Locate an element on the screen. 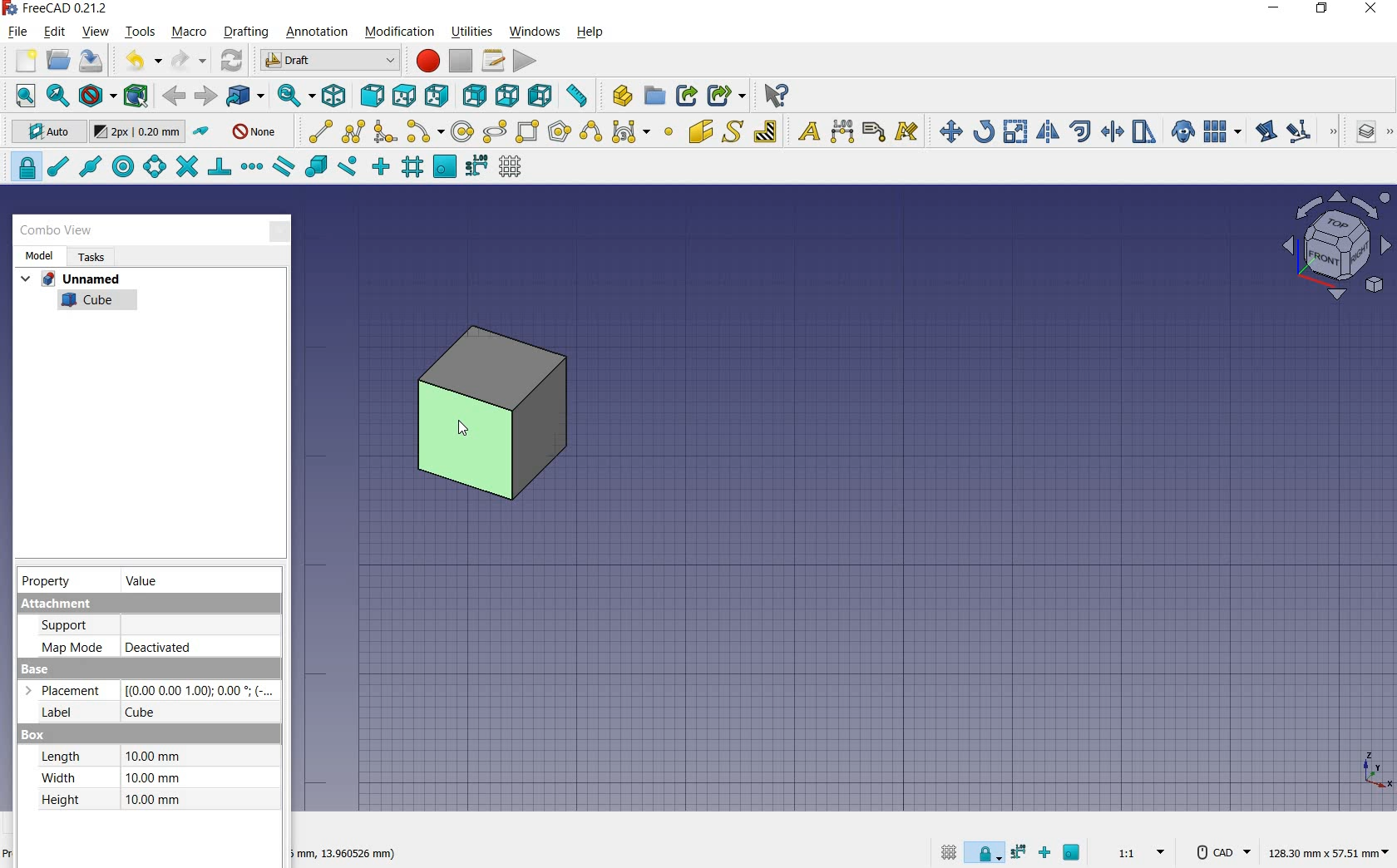  fit all is located at coordinates (20, 96).